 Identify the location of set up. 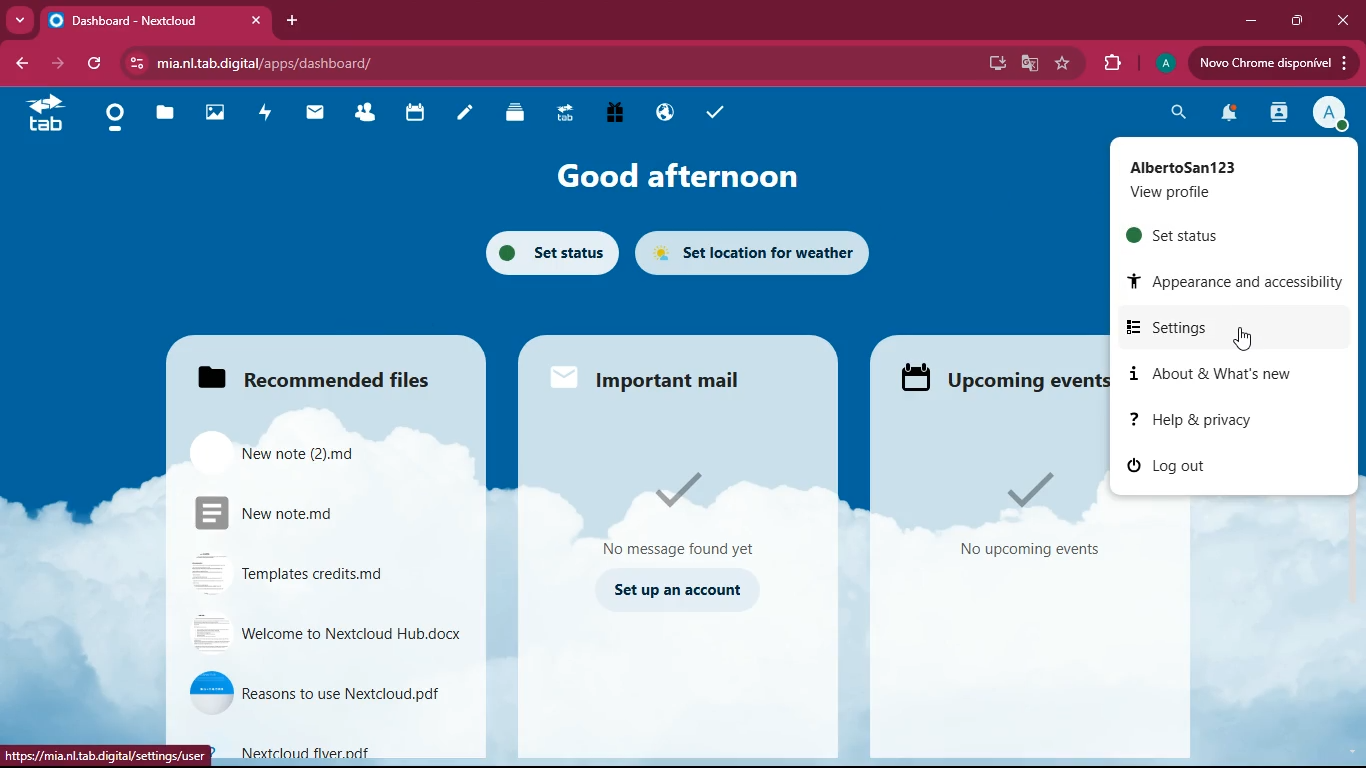
(687, 591).